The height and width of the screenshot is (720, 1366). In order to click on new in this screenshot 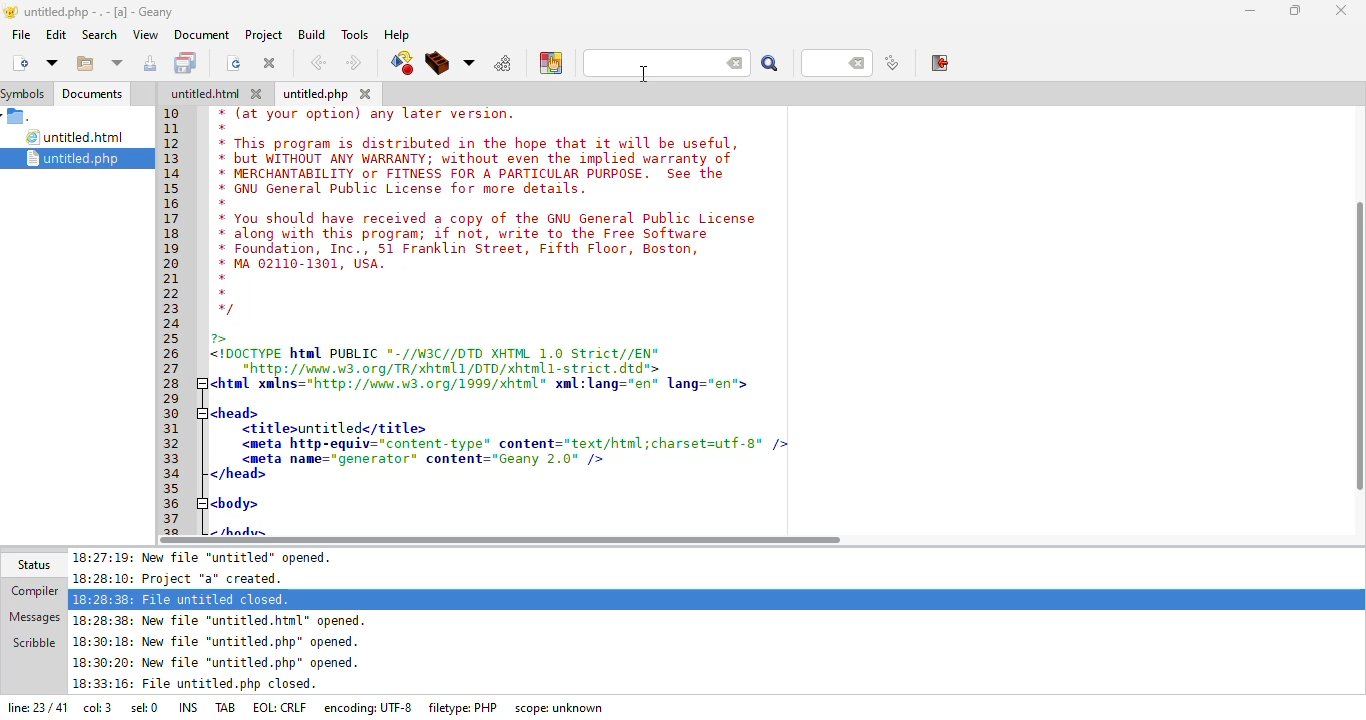, I will do `click(19, 62)`.